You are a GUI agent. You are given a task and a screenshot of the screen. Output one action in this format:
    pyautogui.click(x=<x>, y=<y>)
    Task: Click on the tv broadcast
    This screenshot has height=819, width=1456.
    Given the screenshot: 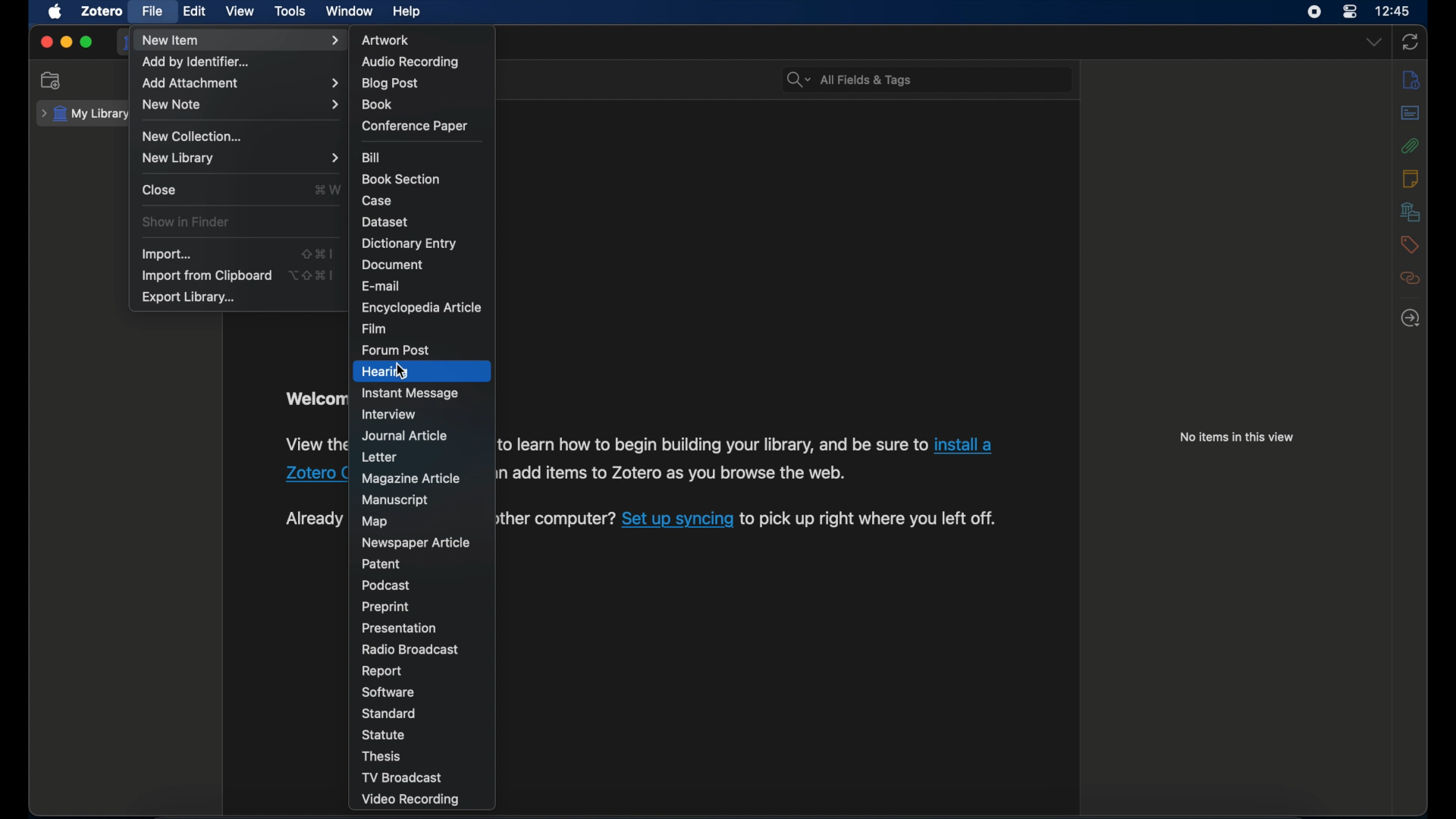 What is the action you would take?
    pyautogui.click(x=402, y=777)
    